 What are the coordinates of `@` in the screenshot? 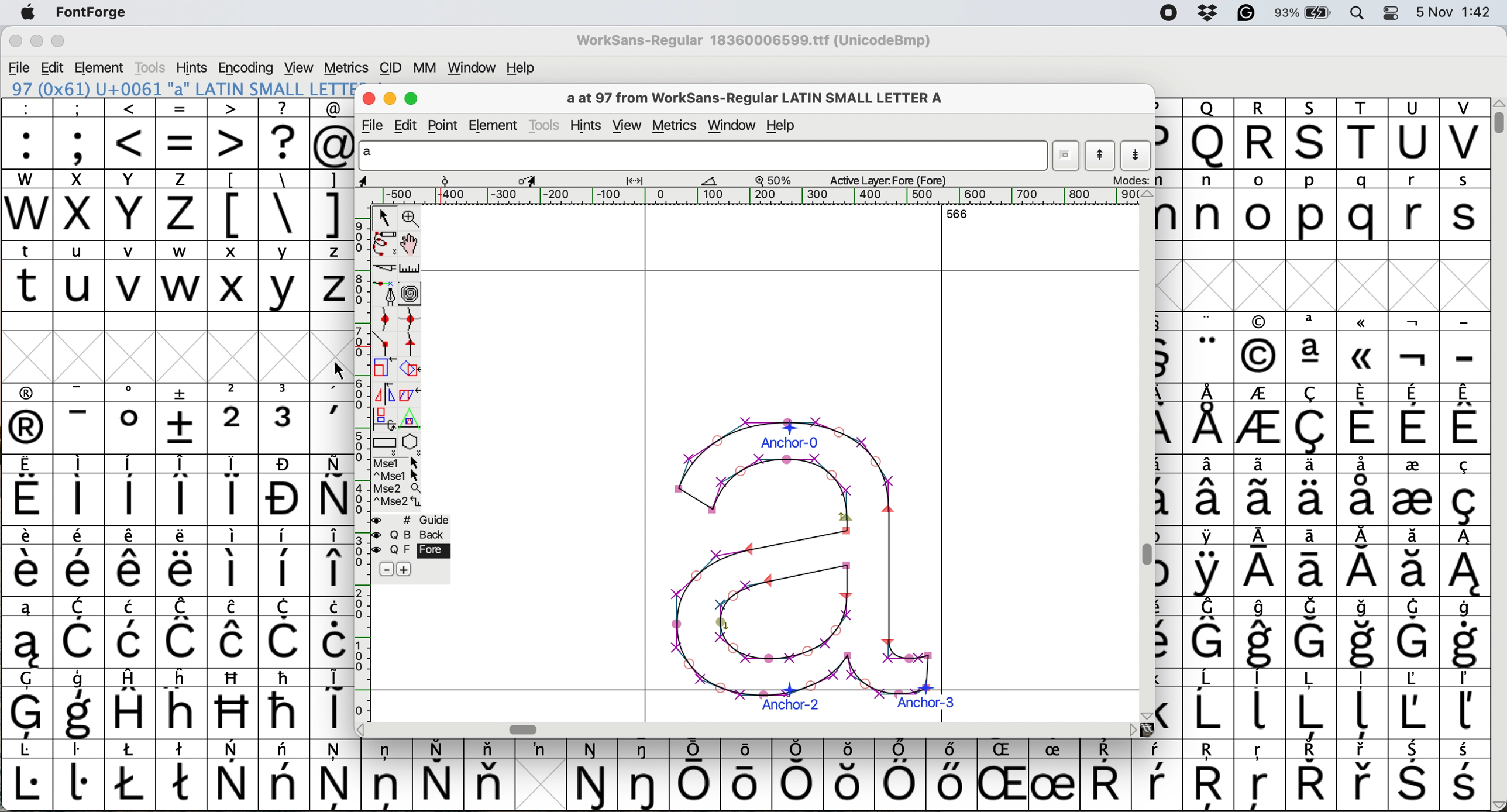 It's located at (333, 134).